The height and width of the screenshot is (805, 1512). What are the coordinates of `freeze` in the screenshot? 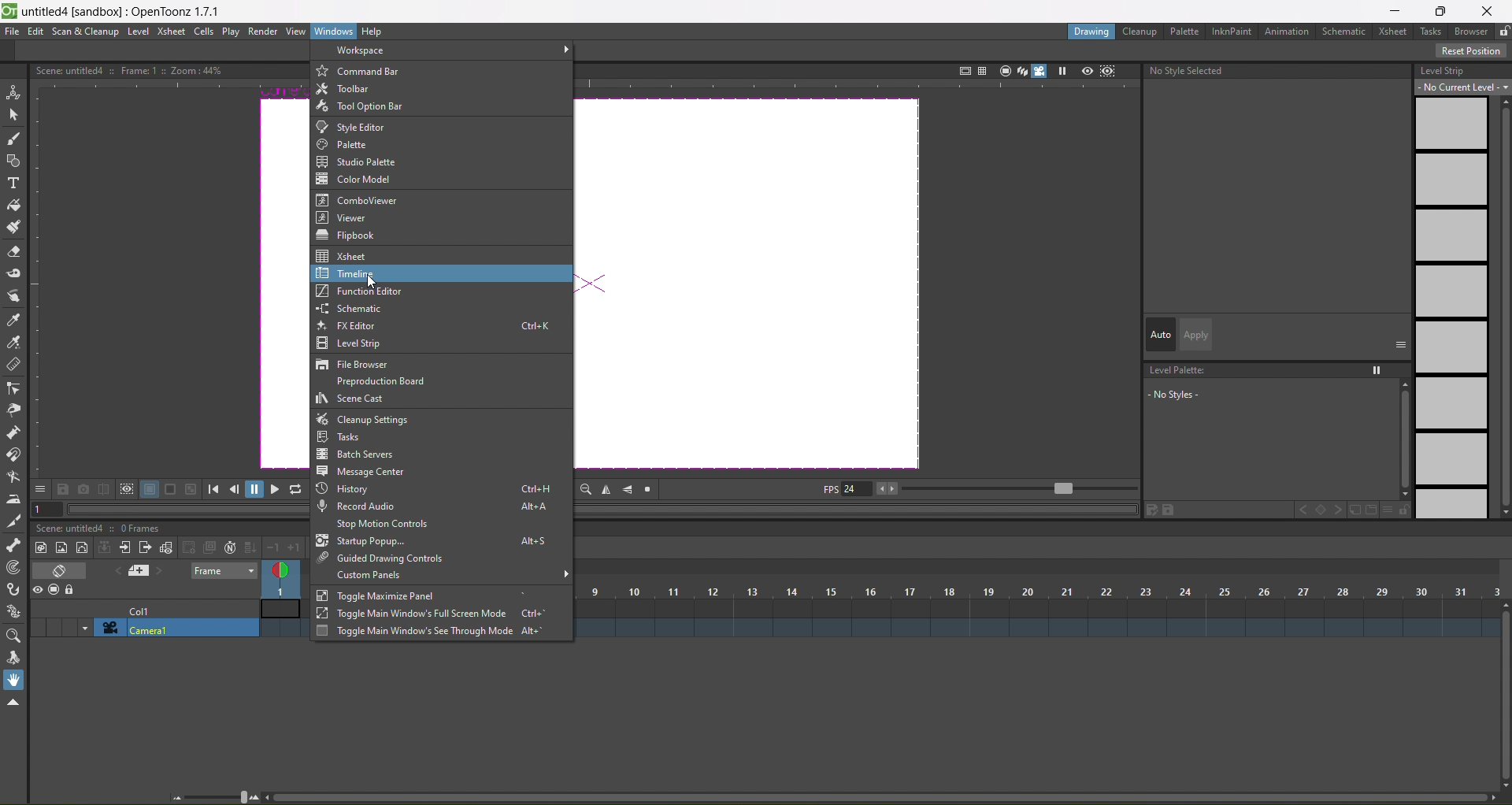 It's located at (1061, 71).